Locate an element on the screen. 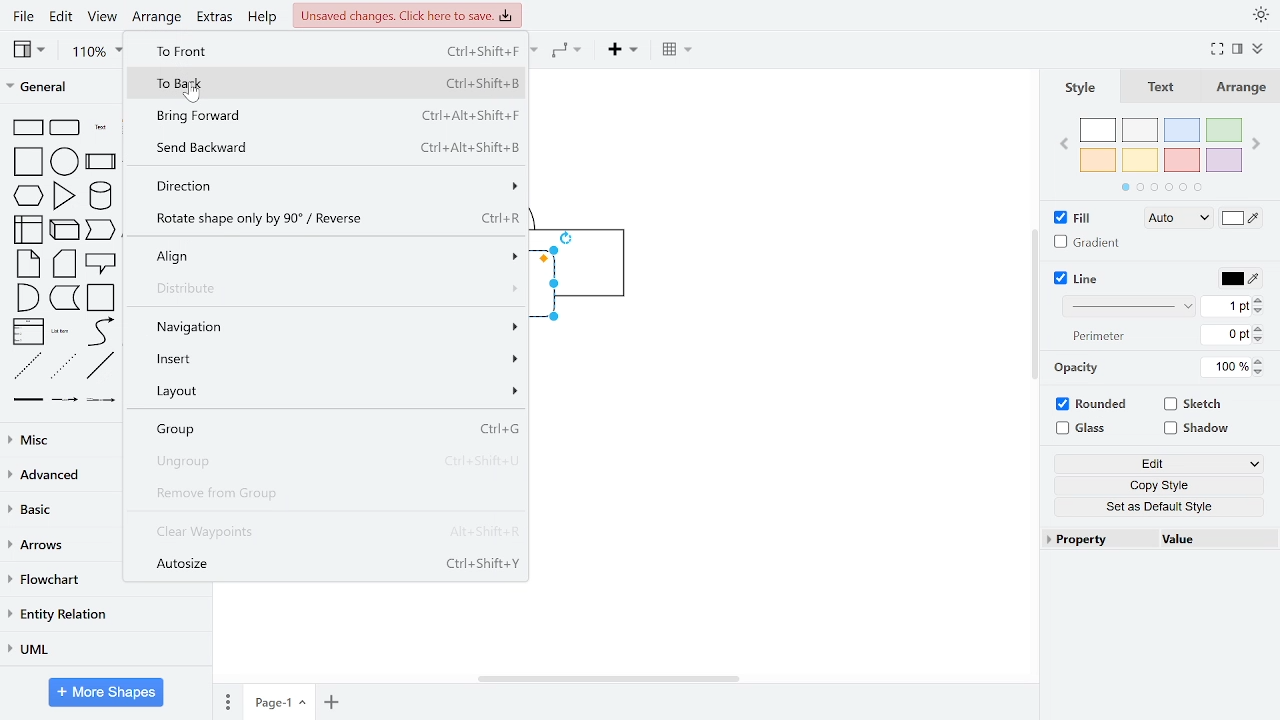  UML is located at coordinates (106, 648).